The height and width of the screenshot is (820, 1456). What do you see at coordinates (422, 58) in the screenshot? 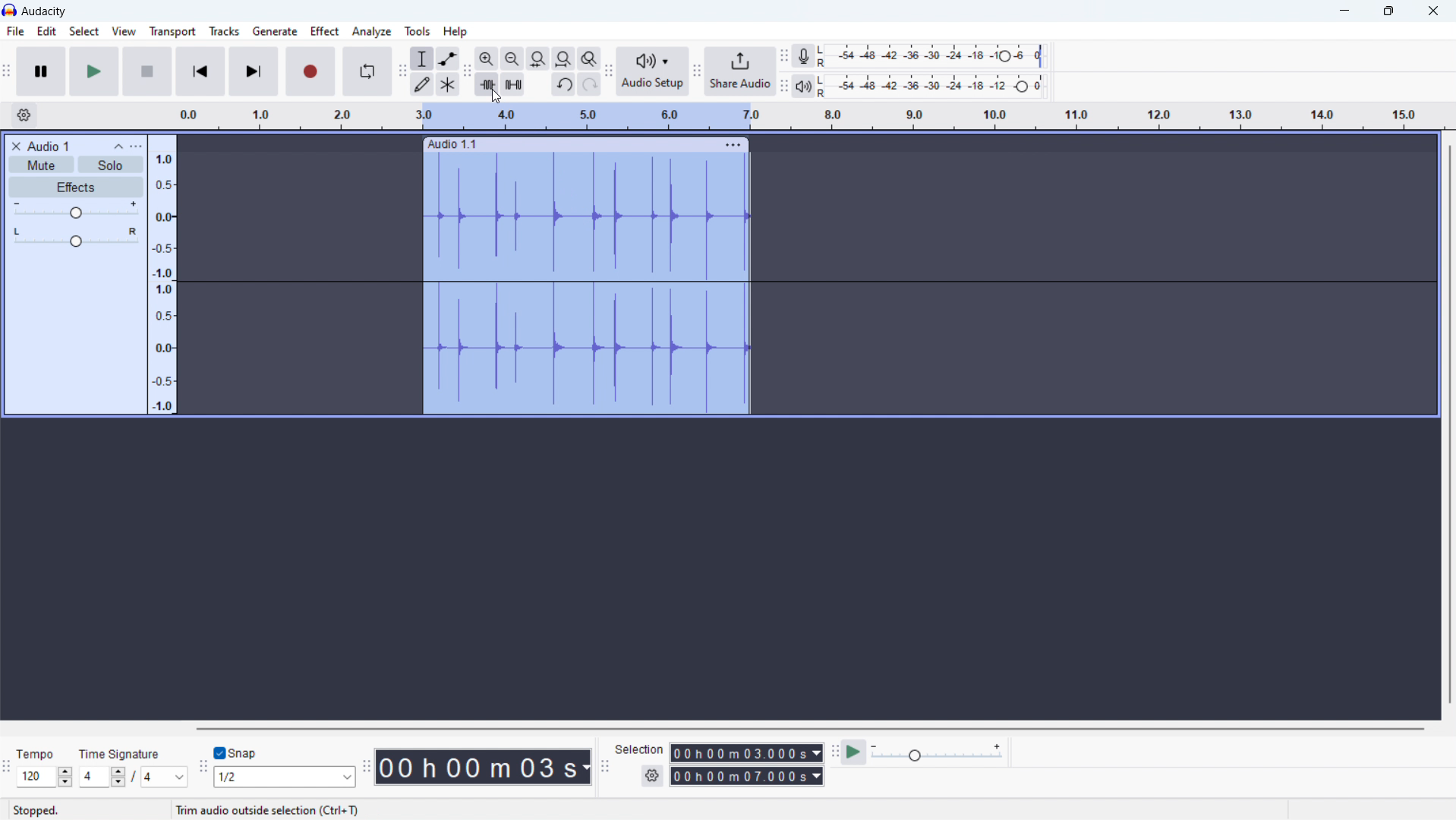
I see `selection tool` at bounding box center [422, 58].